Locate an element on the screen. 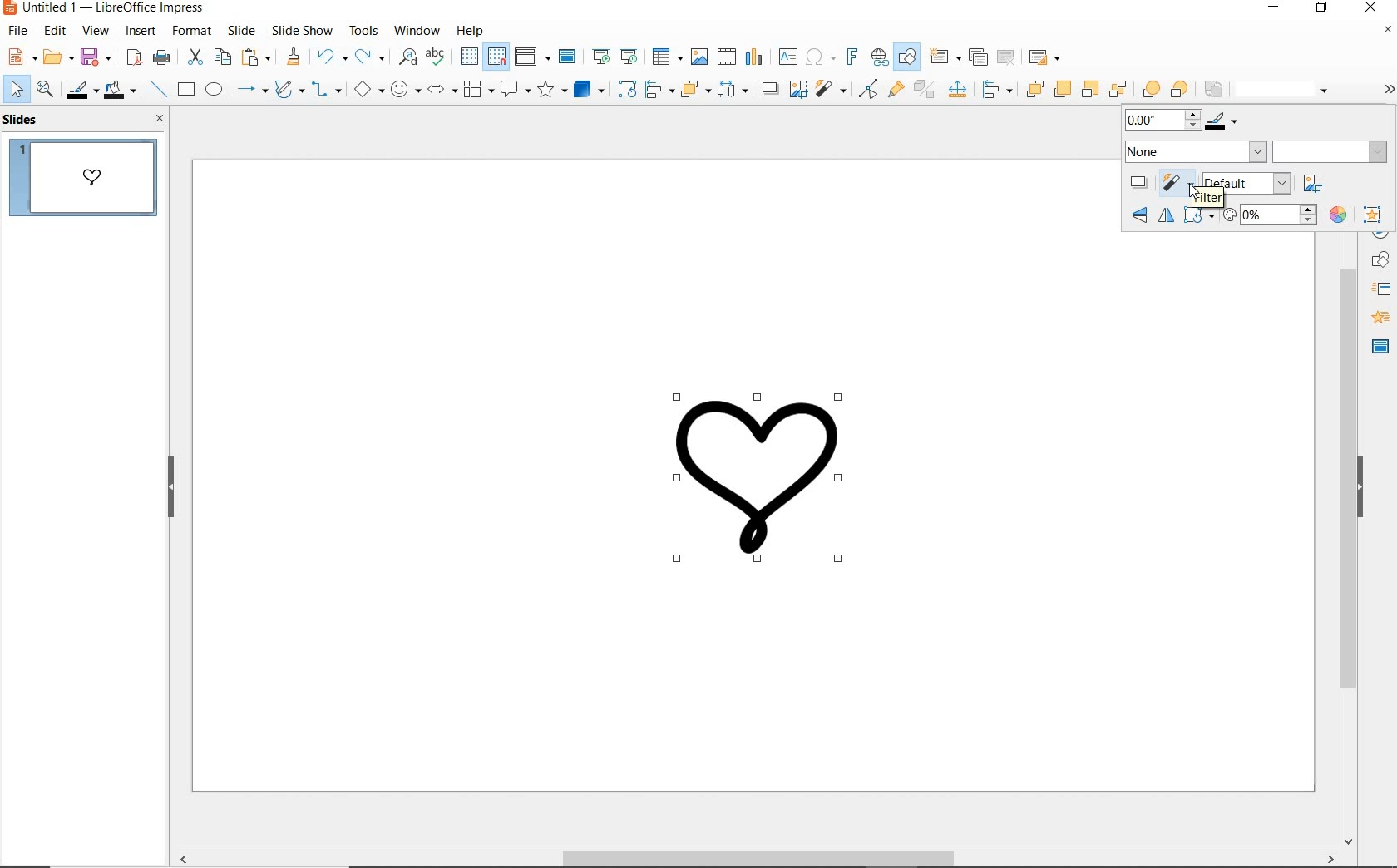  transparency is located at coordinates (1270, 216).